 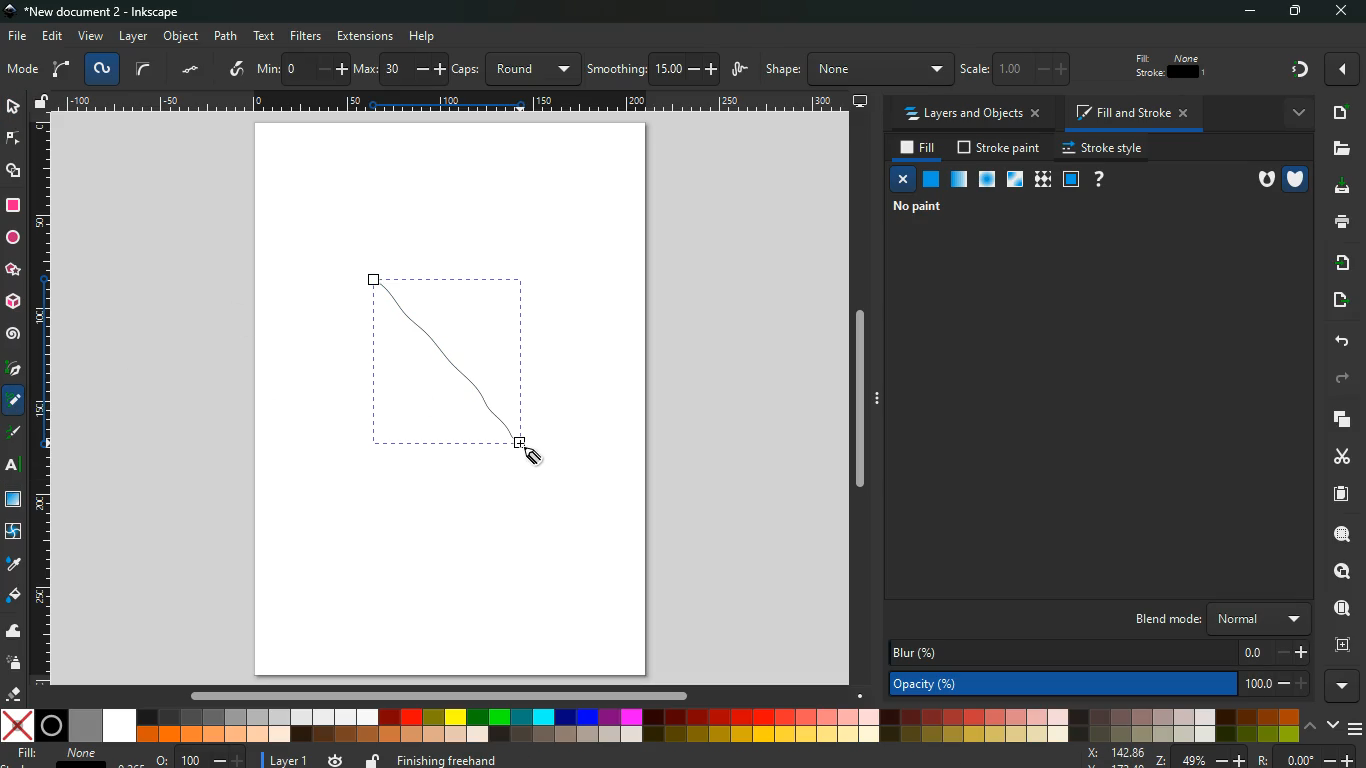 I want to click on stroke paint, so click(x=1001, y=147).